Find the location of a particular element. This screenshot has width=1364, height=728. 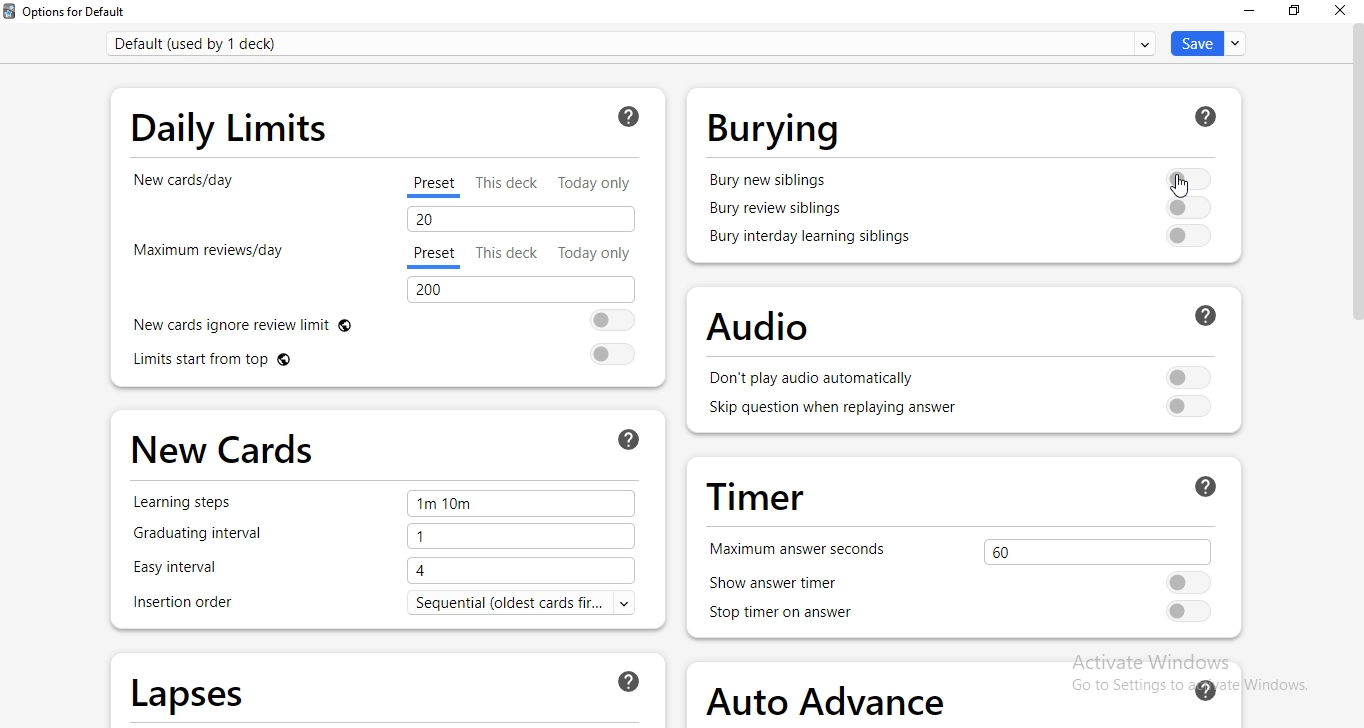

ask is located at coordinates (628, 119).